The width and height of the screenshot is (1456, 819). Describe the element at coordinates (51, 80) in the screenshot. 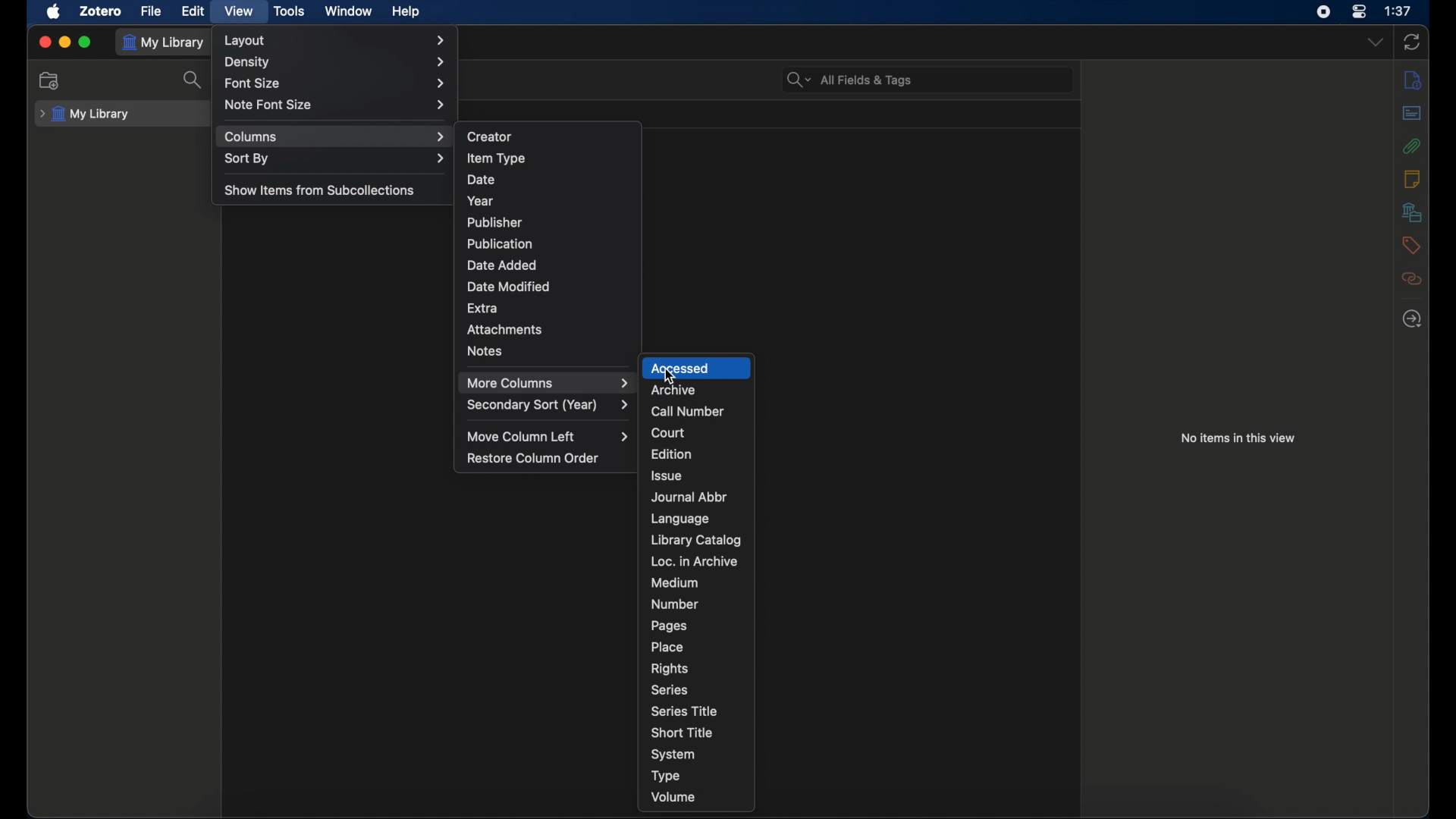

I see `new collection` at that location.